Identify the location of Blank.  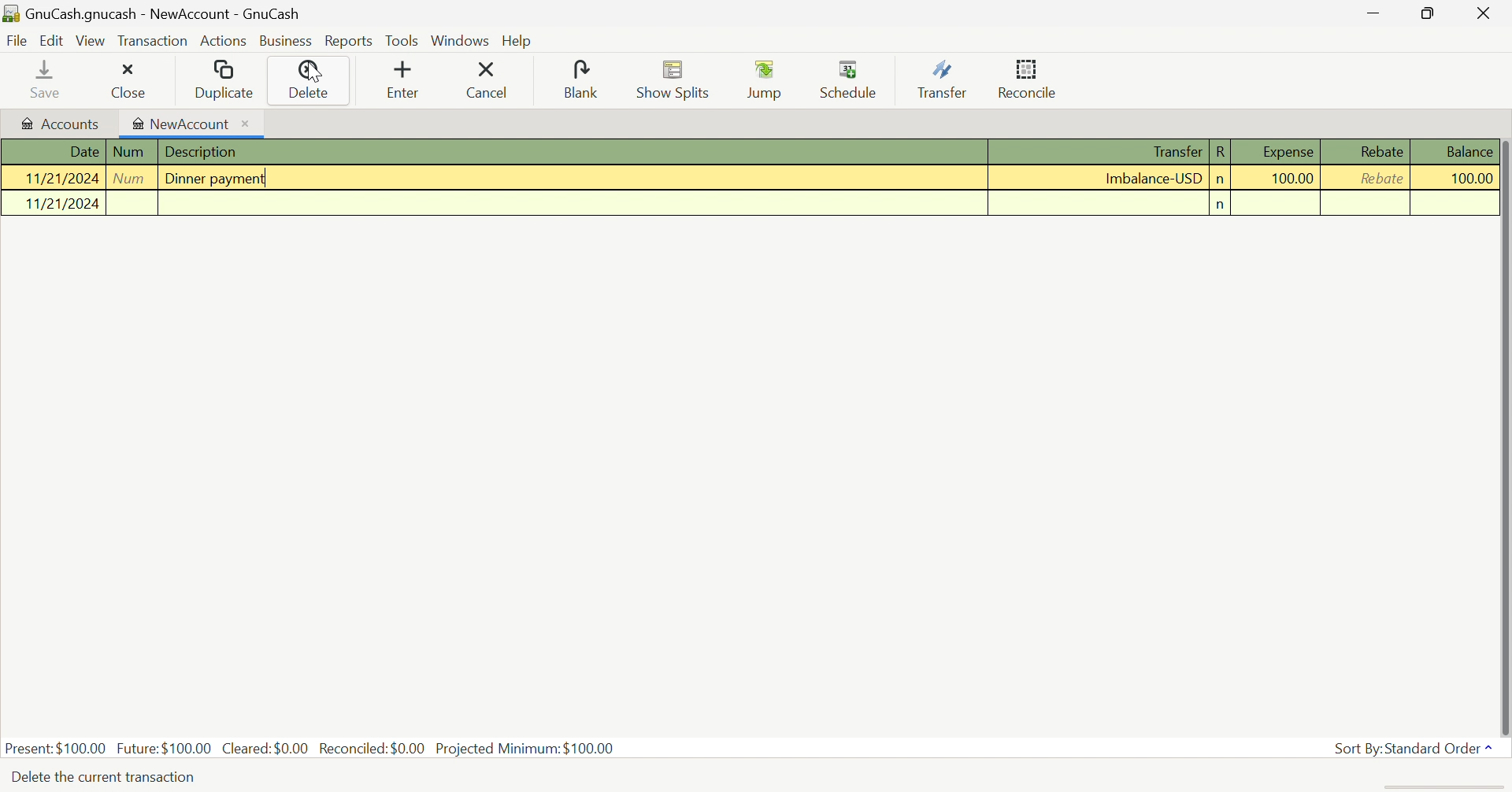
(584, 80).